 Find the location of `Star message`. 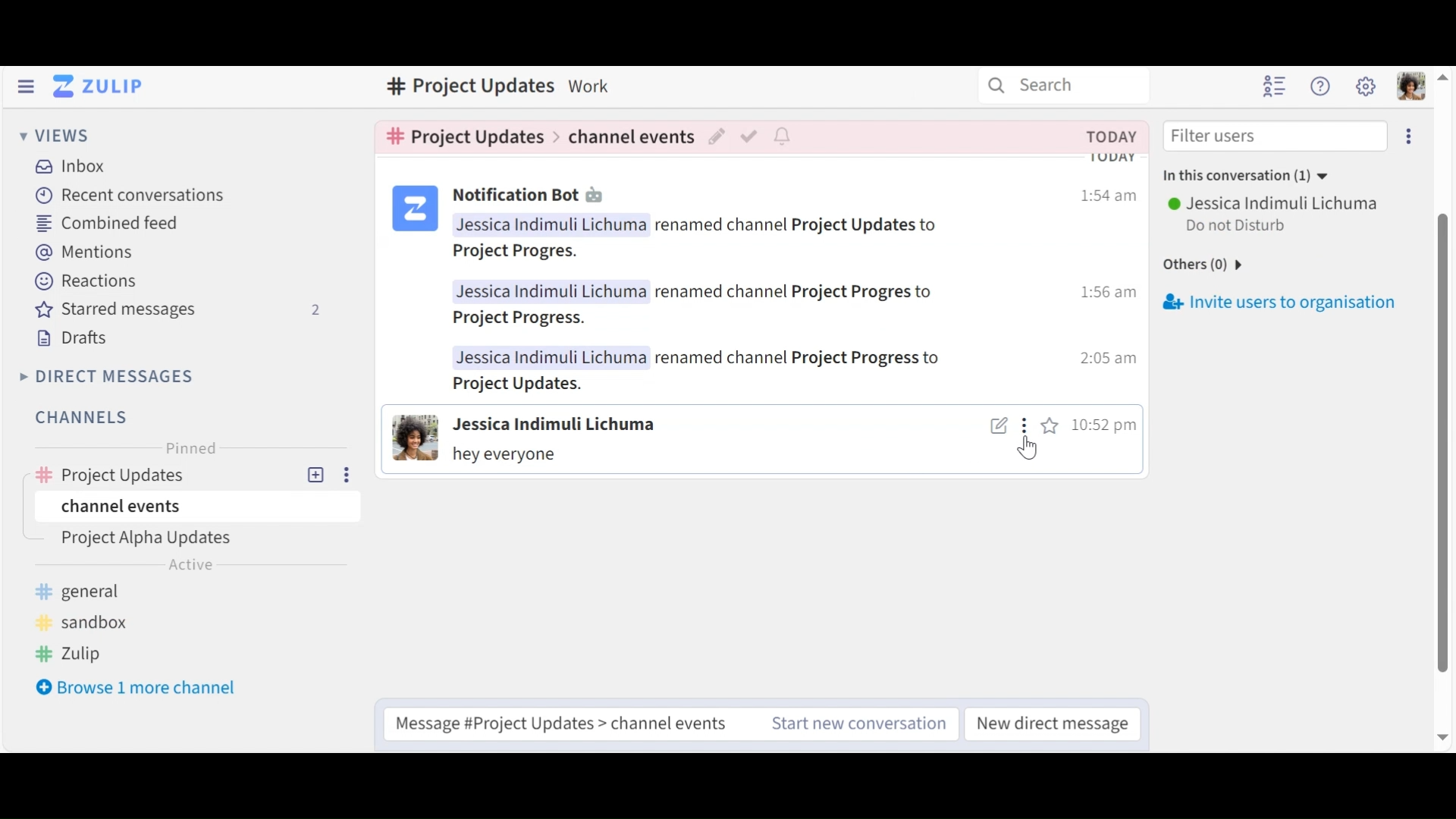

Star message is located at coordinates (1053, 427).